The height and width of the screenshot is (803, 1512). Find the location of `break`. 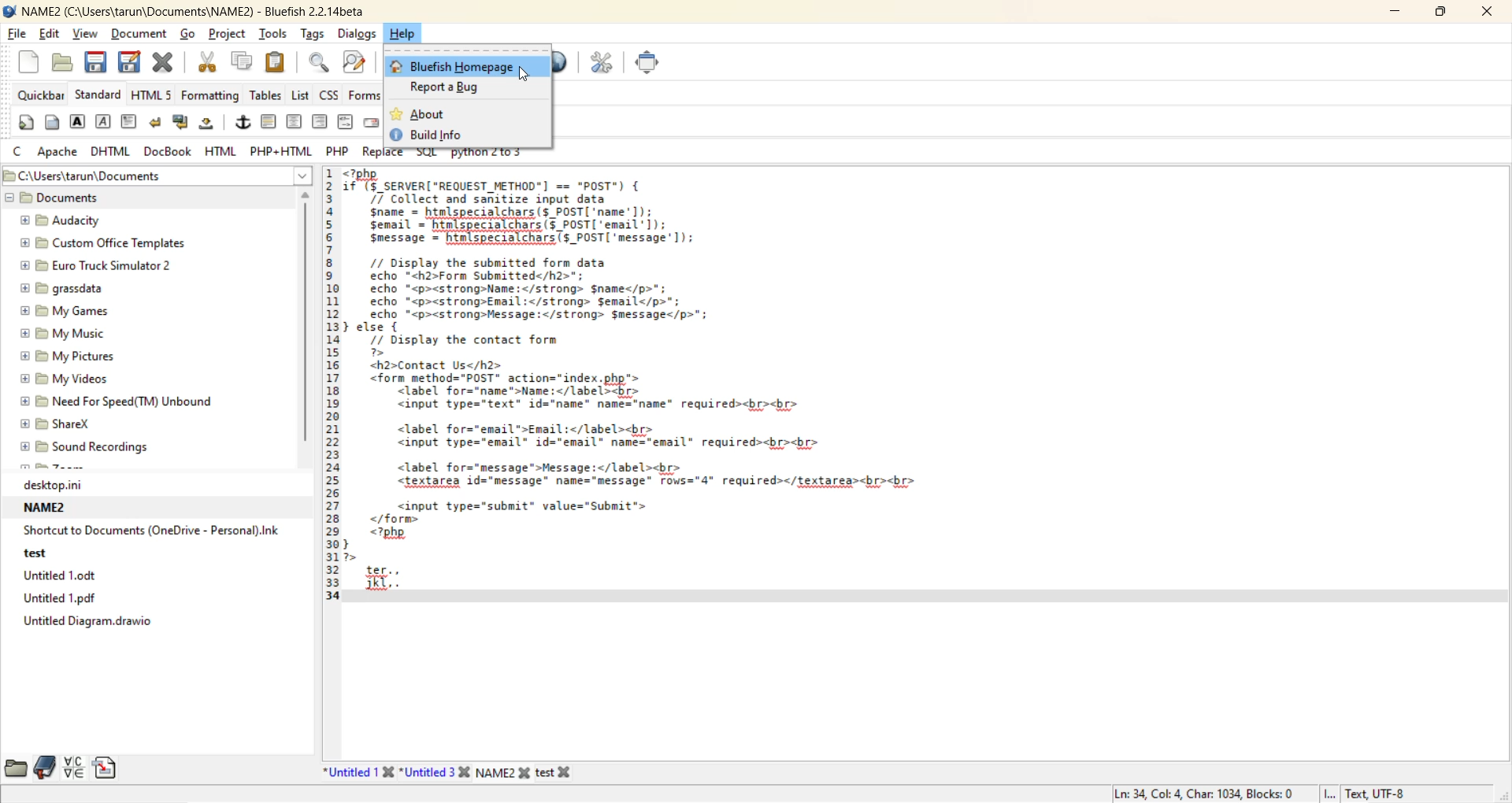

break is located at coordinates (156, 122).